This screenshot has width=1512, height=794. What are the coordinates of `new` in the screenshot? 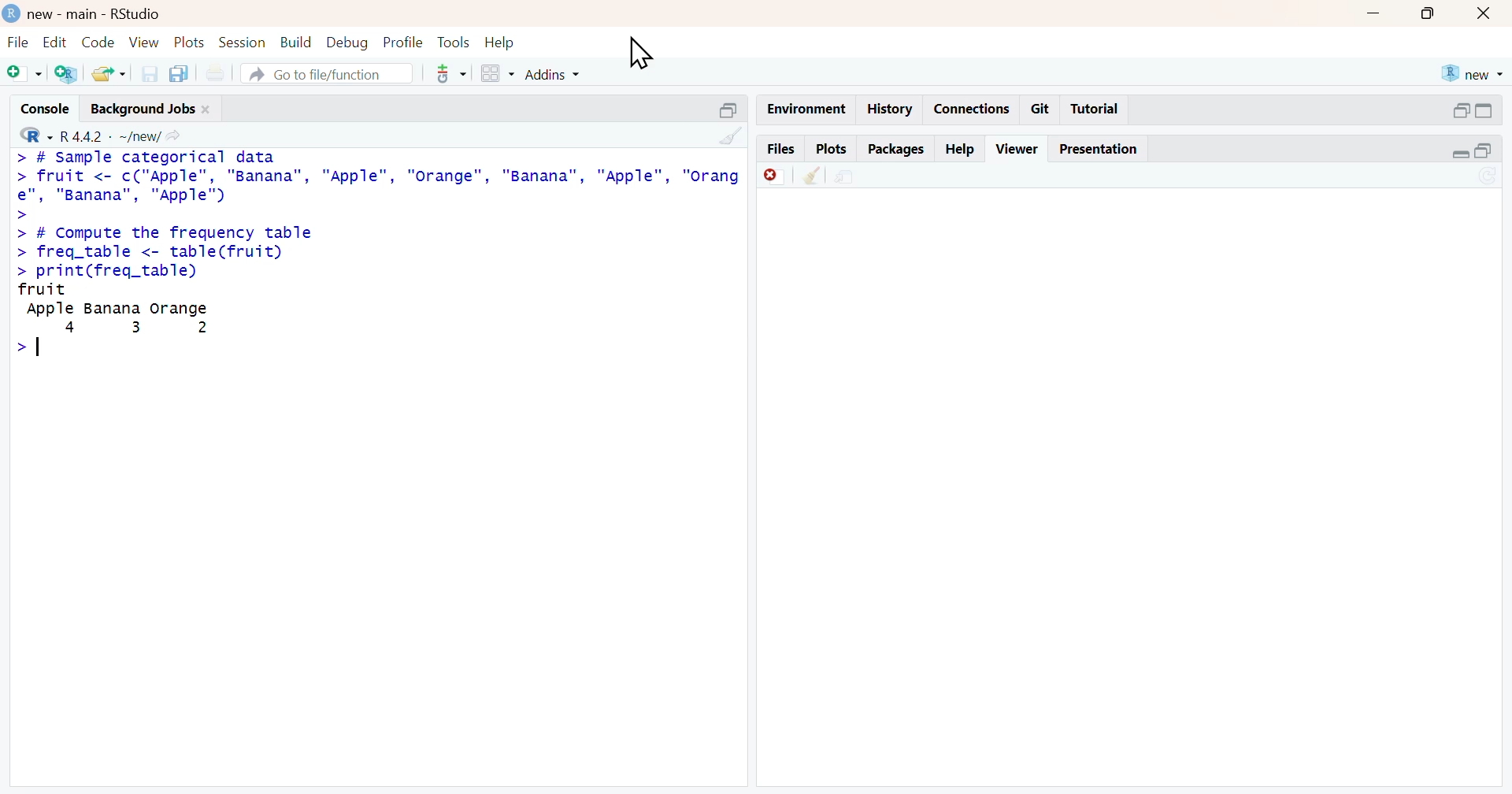 It's located at (1469, 74).